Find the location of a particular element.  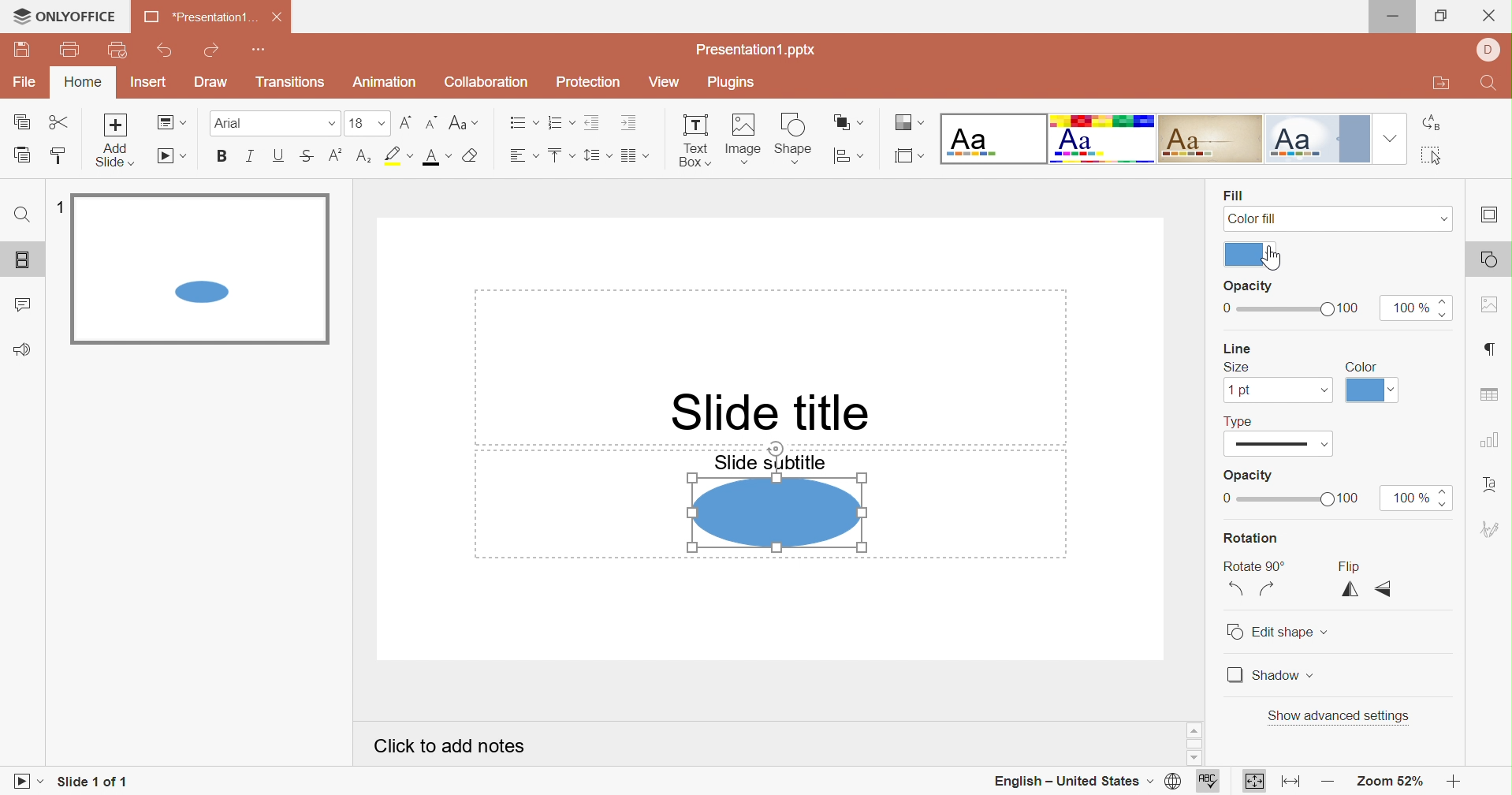

Numbering is located at coordinates (560, 123).